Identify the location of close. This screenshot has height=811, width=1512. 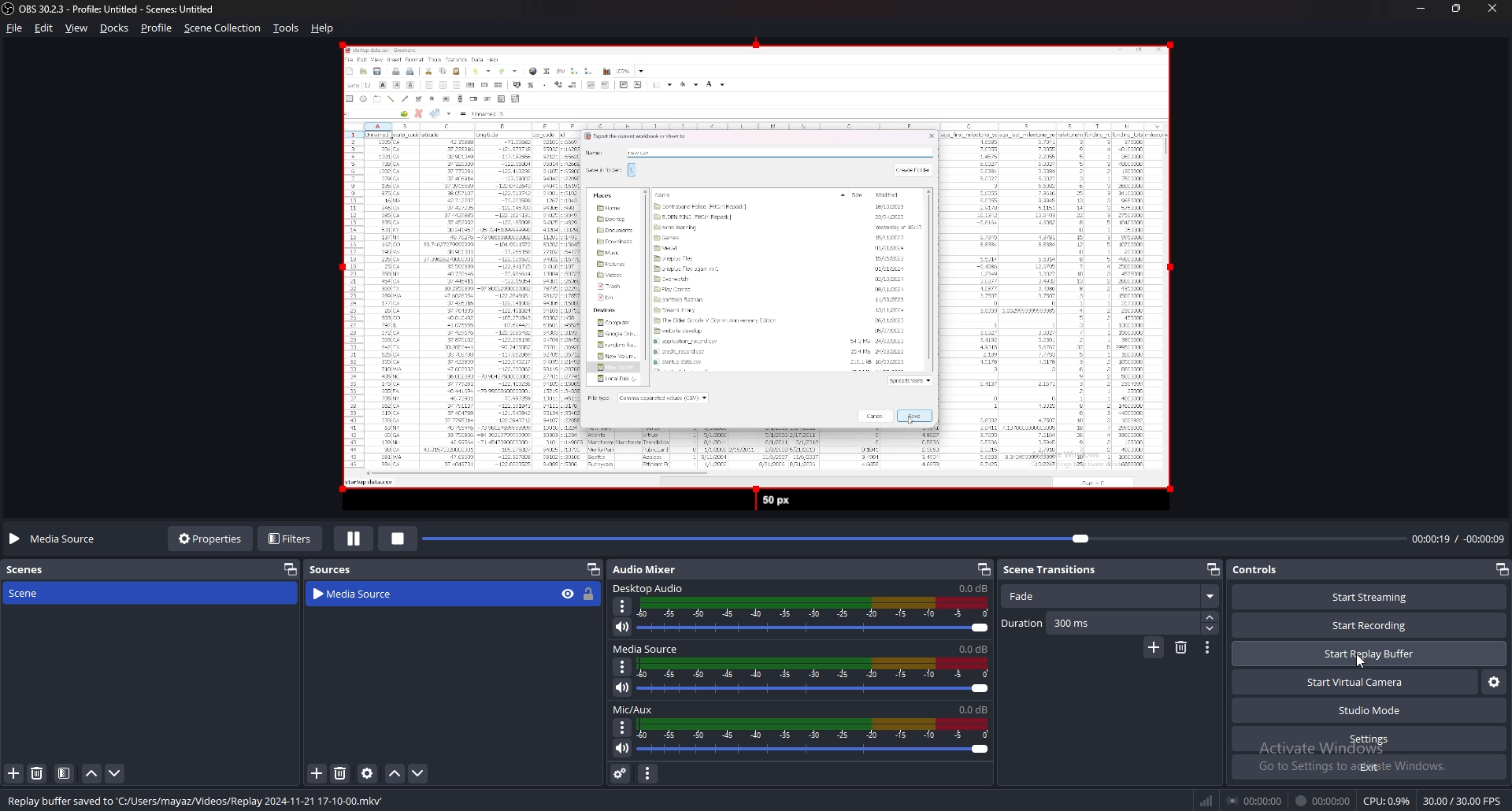
(1492, 8).